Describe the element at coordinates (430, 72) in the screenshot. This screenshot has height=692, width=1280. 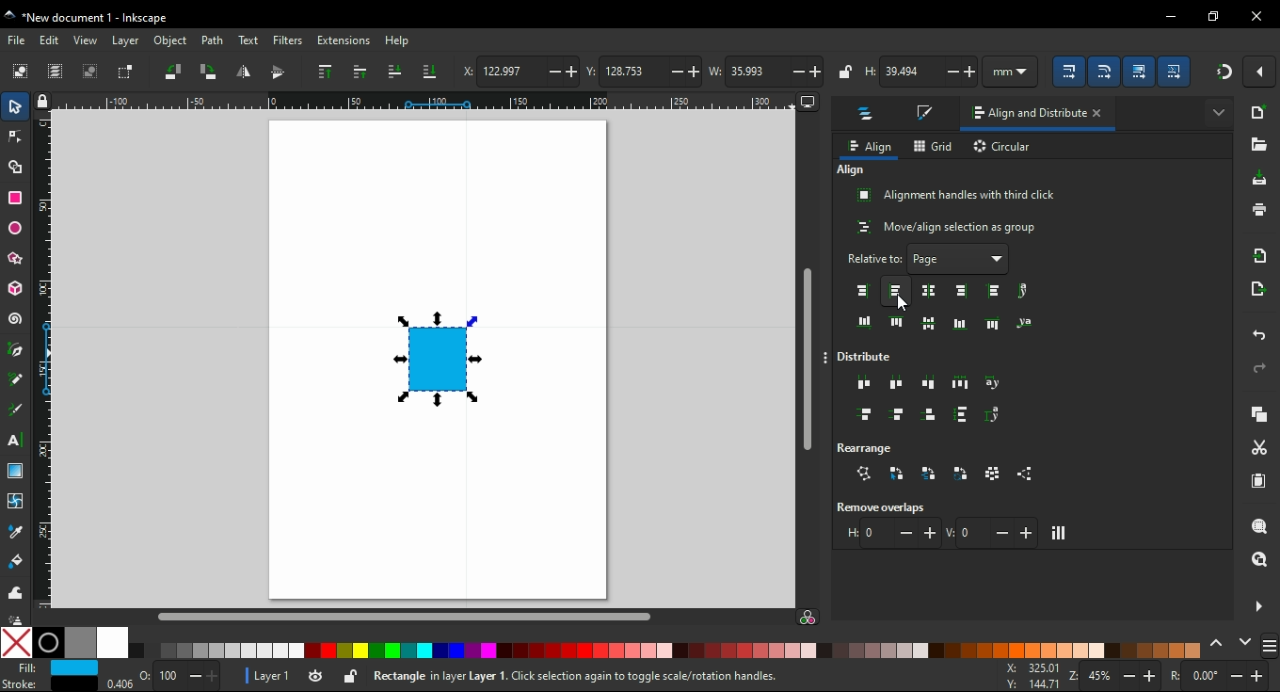
I see `lower to bottom` at that location.